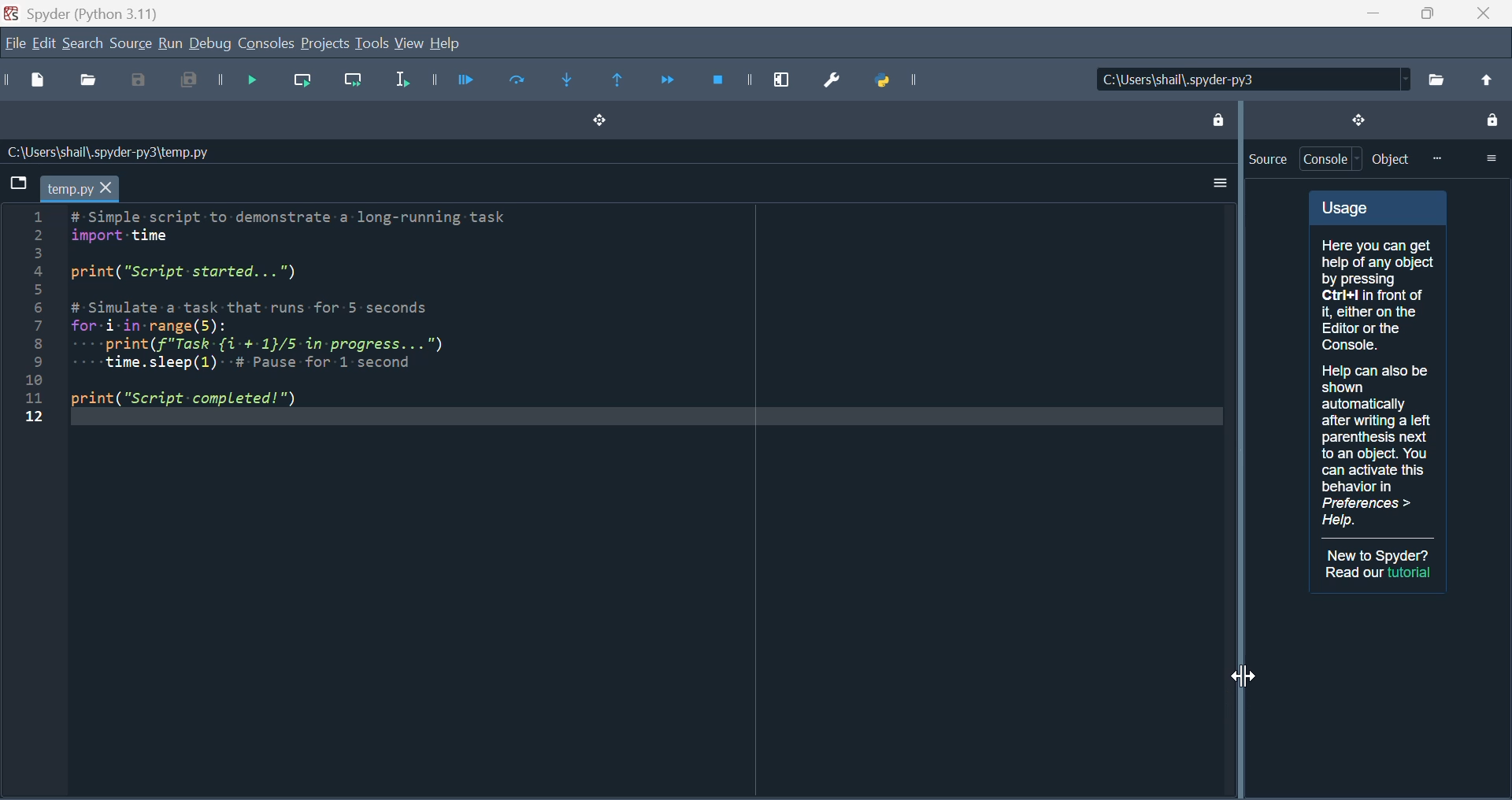  I want to click on Cursor, so click(1243, 679).